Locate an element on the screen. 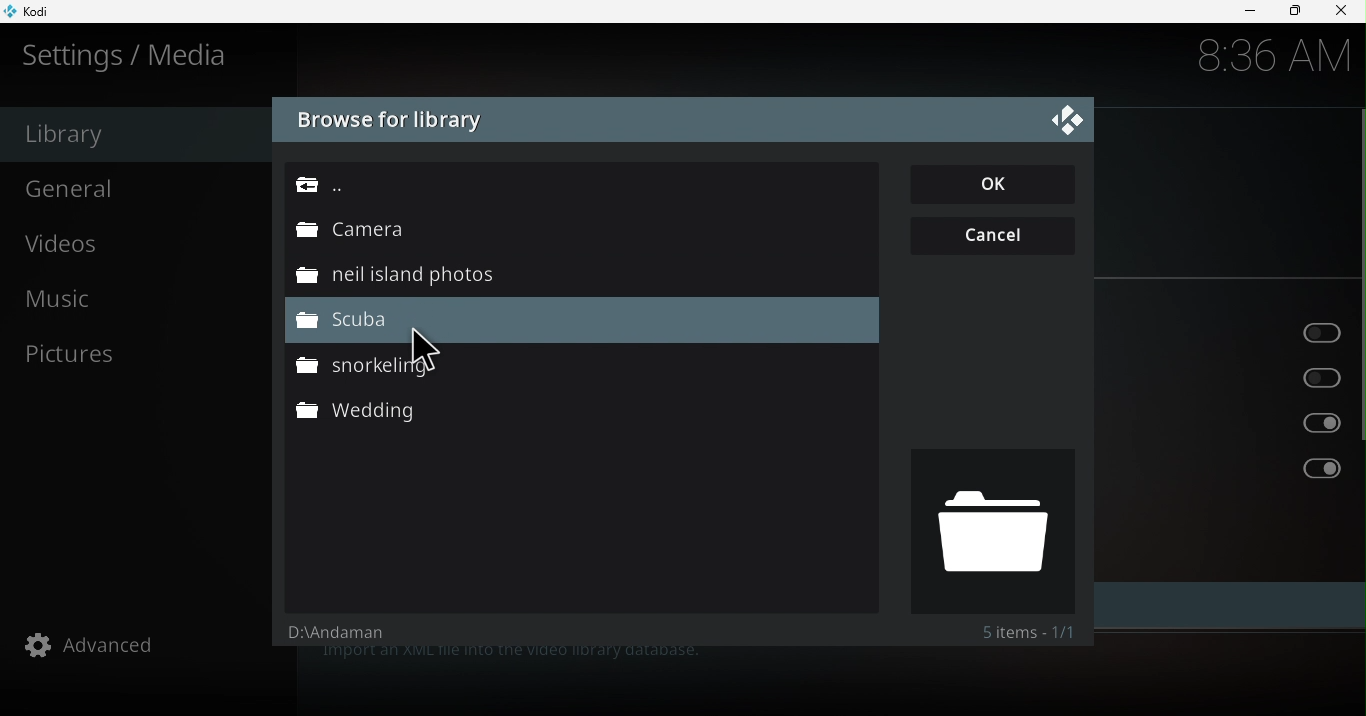 The width and height of the screenshot is (1366, 716). Advanced is located at coordinates (149, 644).